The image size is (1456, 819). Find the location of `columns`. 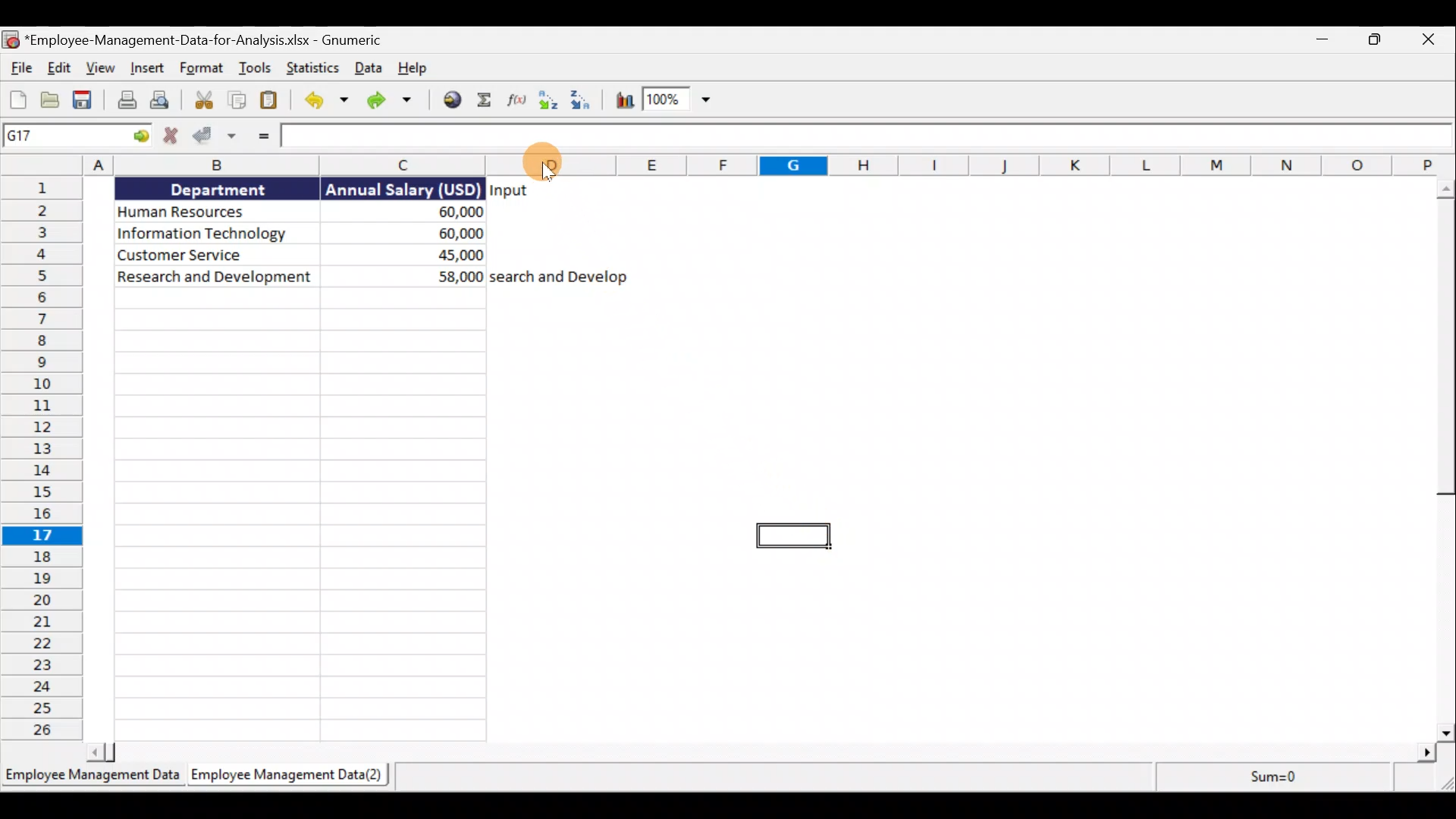

columns is located at coordinates (256, 163).